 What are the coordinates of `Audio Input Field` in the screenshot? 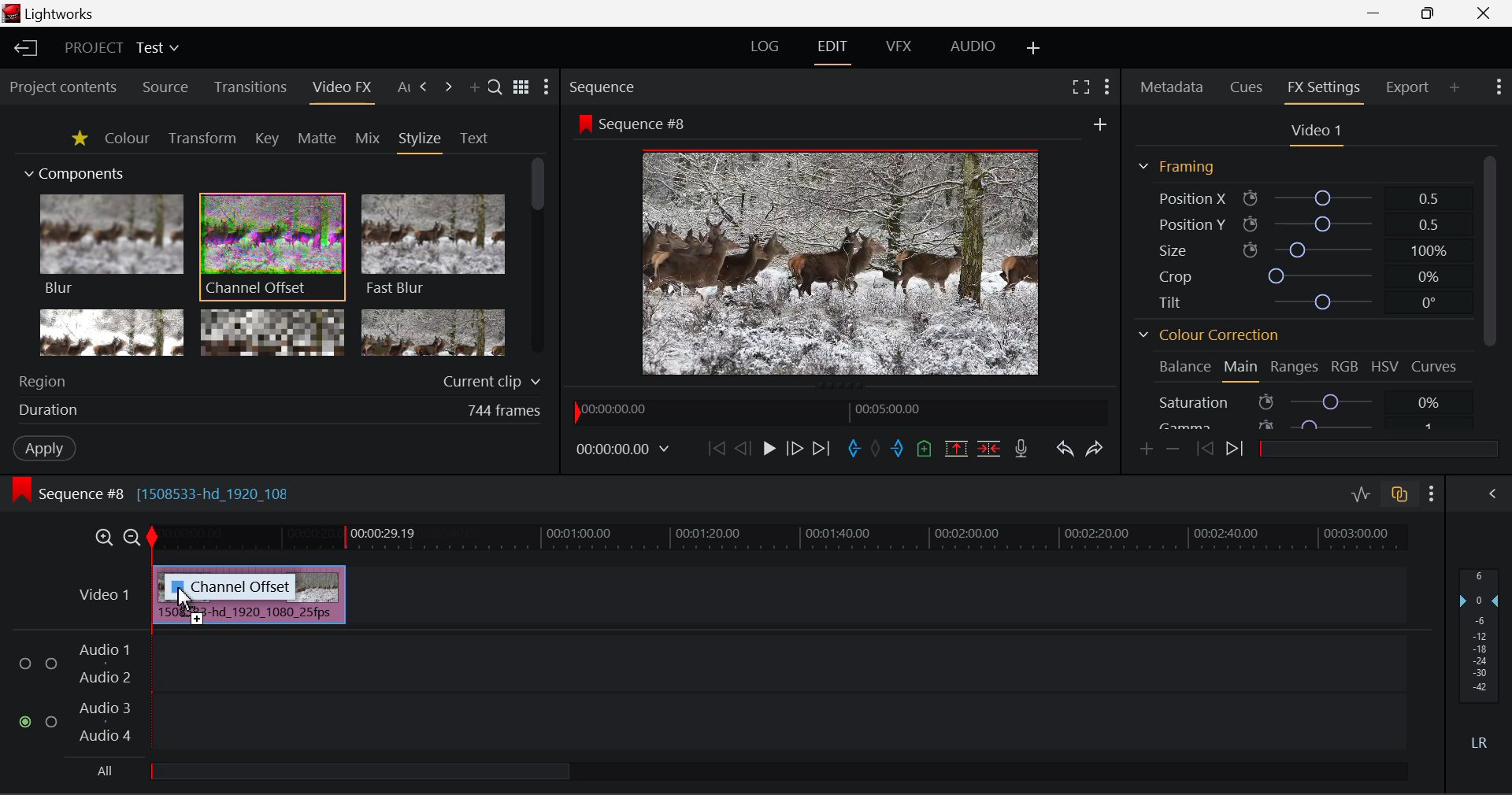 It's located at (708, 694).